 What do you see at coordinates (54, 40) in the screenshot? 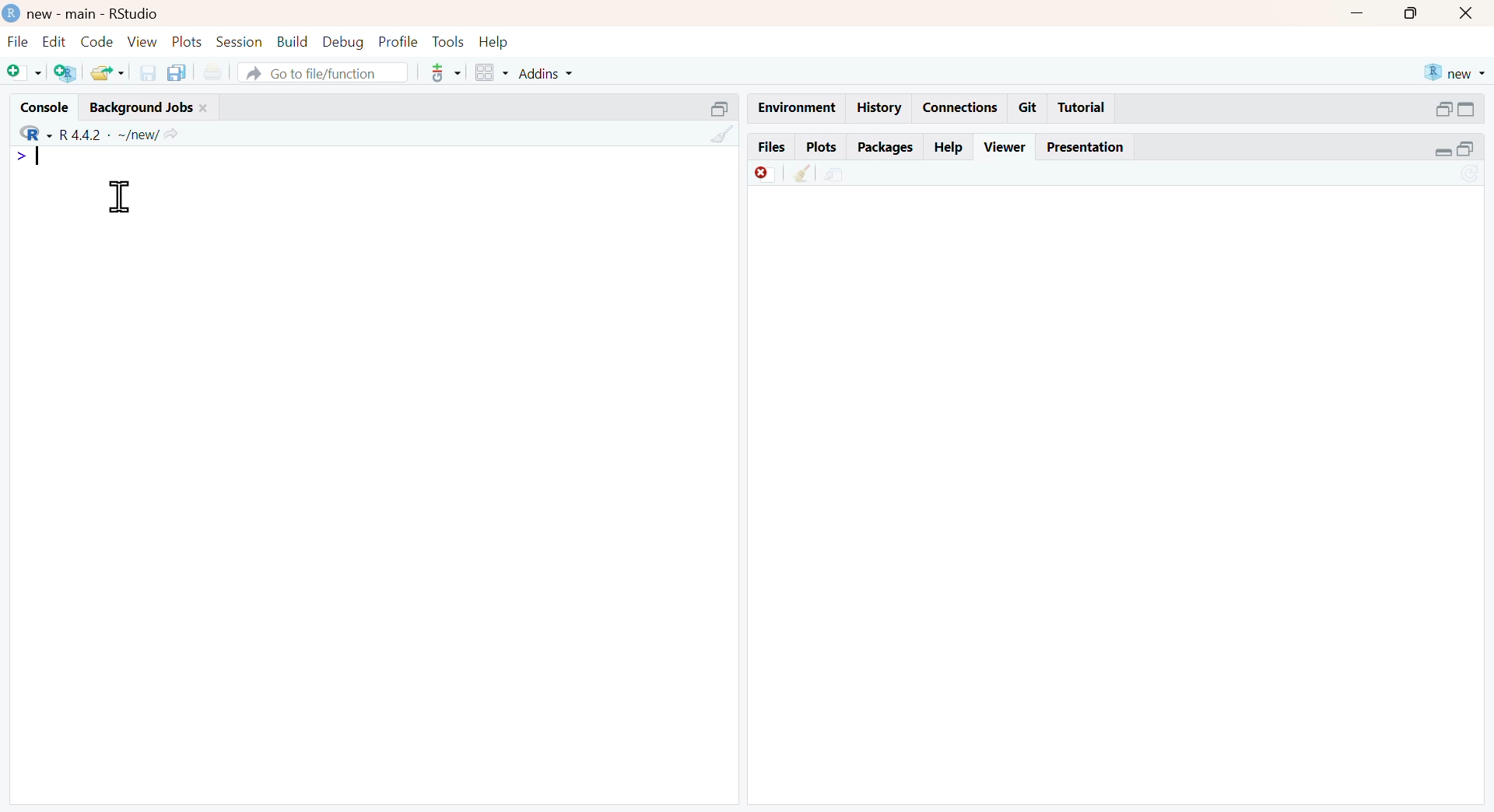
I see `edit` at bounding box center [54, 40].